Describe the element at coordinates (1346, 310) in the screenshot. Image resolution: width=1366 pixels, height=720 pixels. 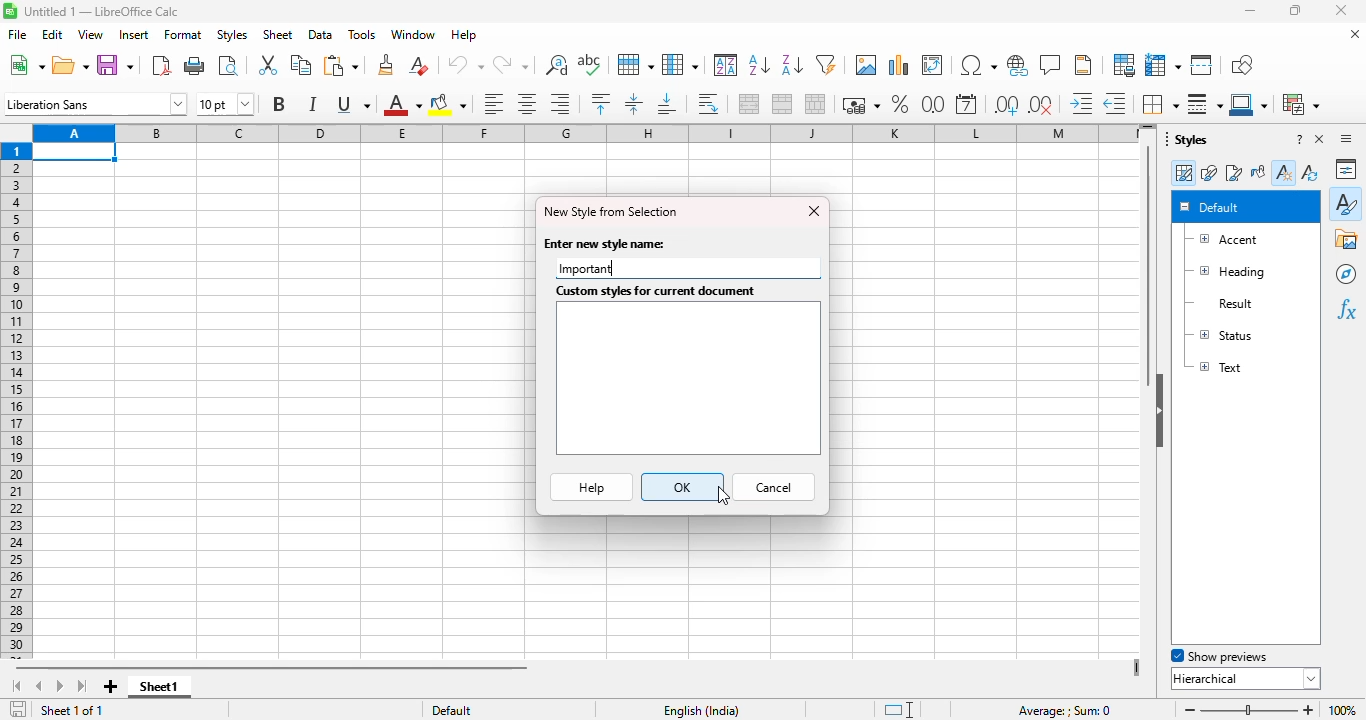
I see `functions` at that location.